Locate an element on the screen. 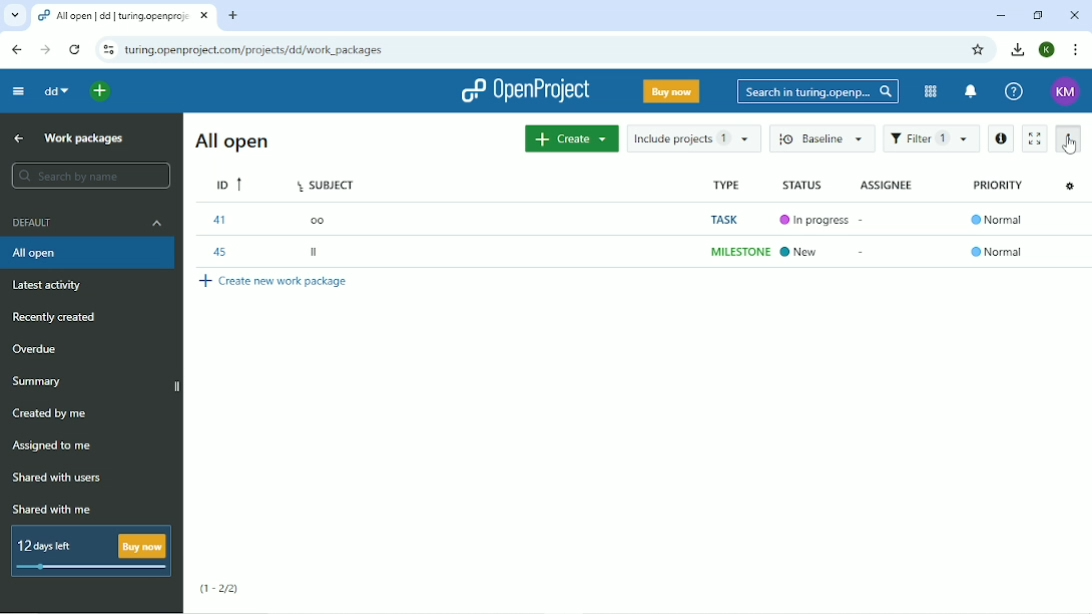 This screenshot has width=1092, height=614. Forward is located at coordinates (42, 49).